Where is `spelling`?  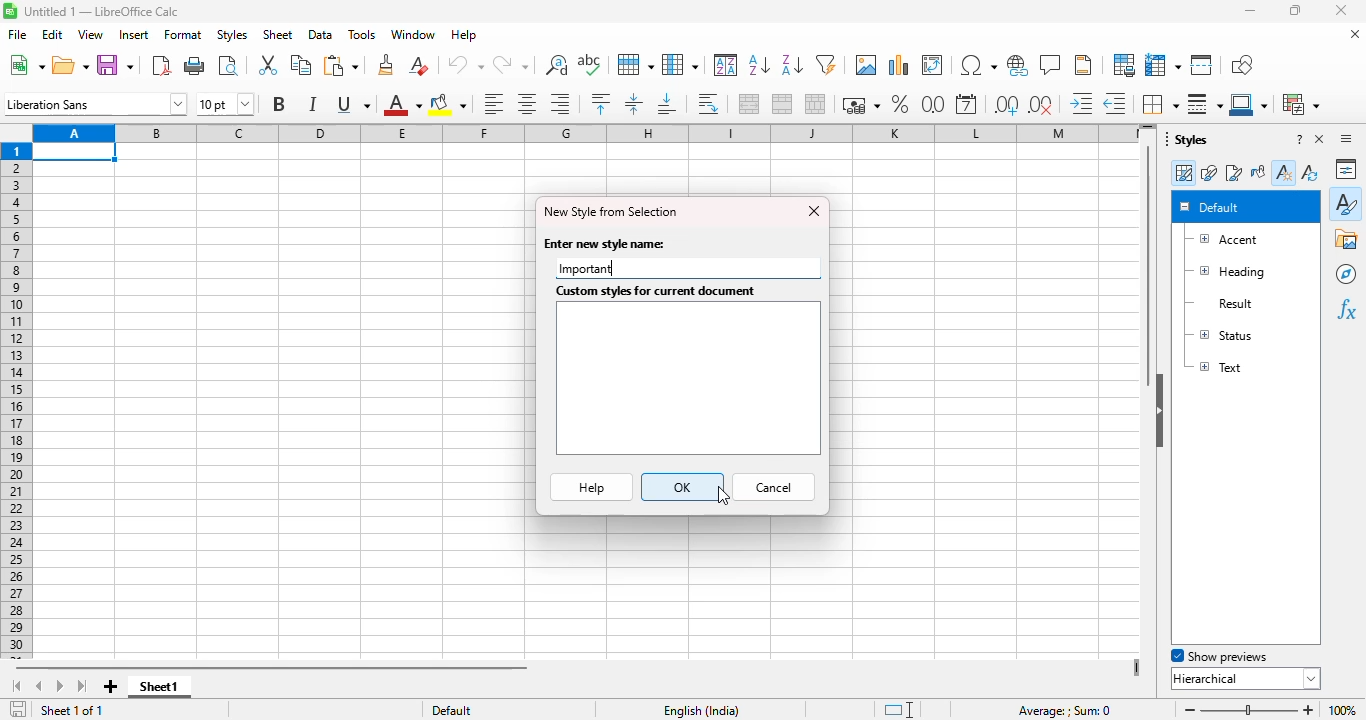
spelling is located at coordinates (590, 64).